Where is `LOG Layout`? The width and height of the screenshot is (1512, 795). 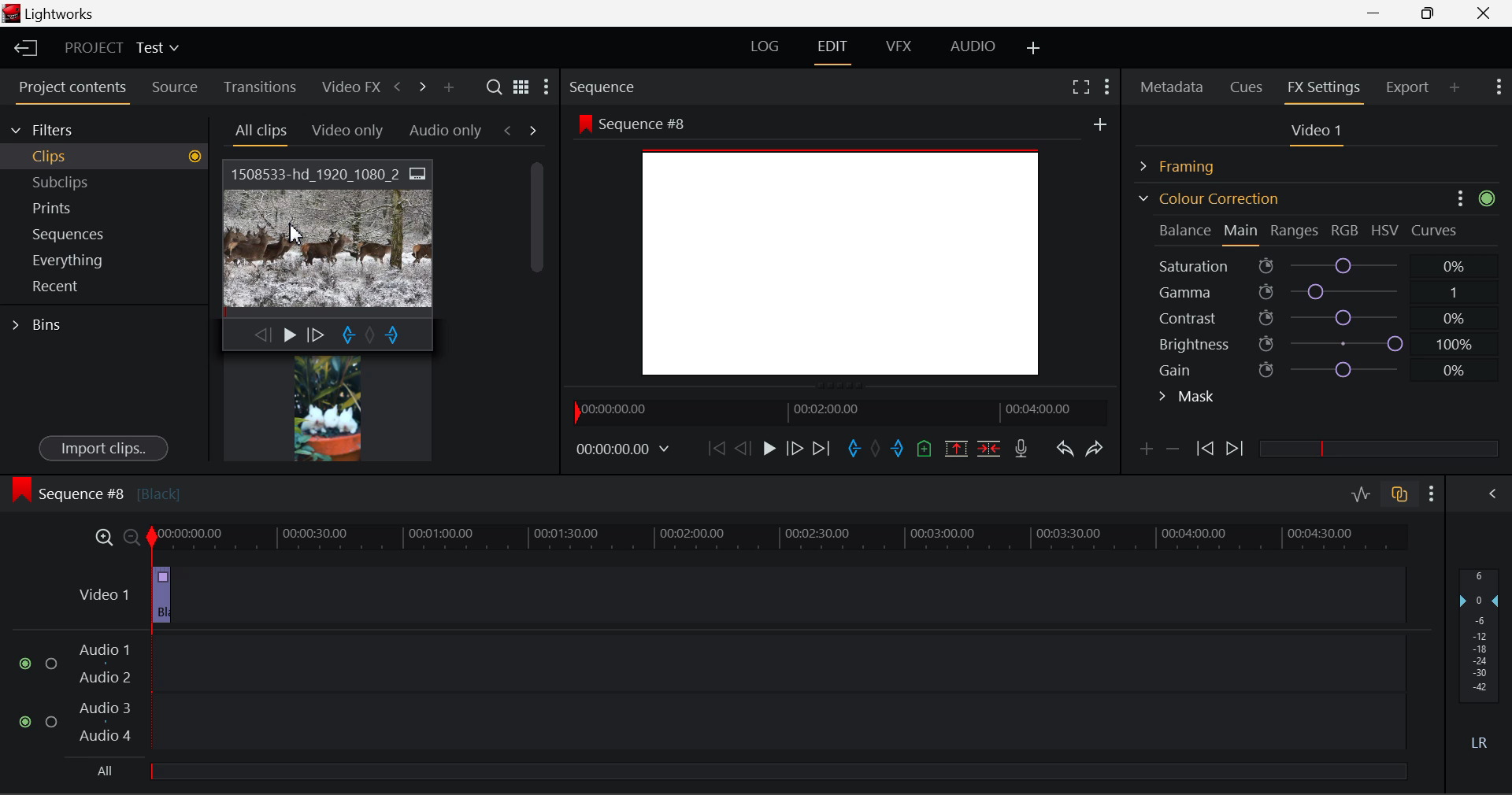 LOG Layout is located at coordinates (764, 46).